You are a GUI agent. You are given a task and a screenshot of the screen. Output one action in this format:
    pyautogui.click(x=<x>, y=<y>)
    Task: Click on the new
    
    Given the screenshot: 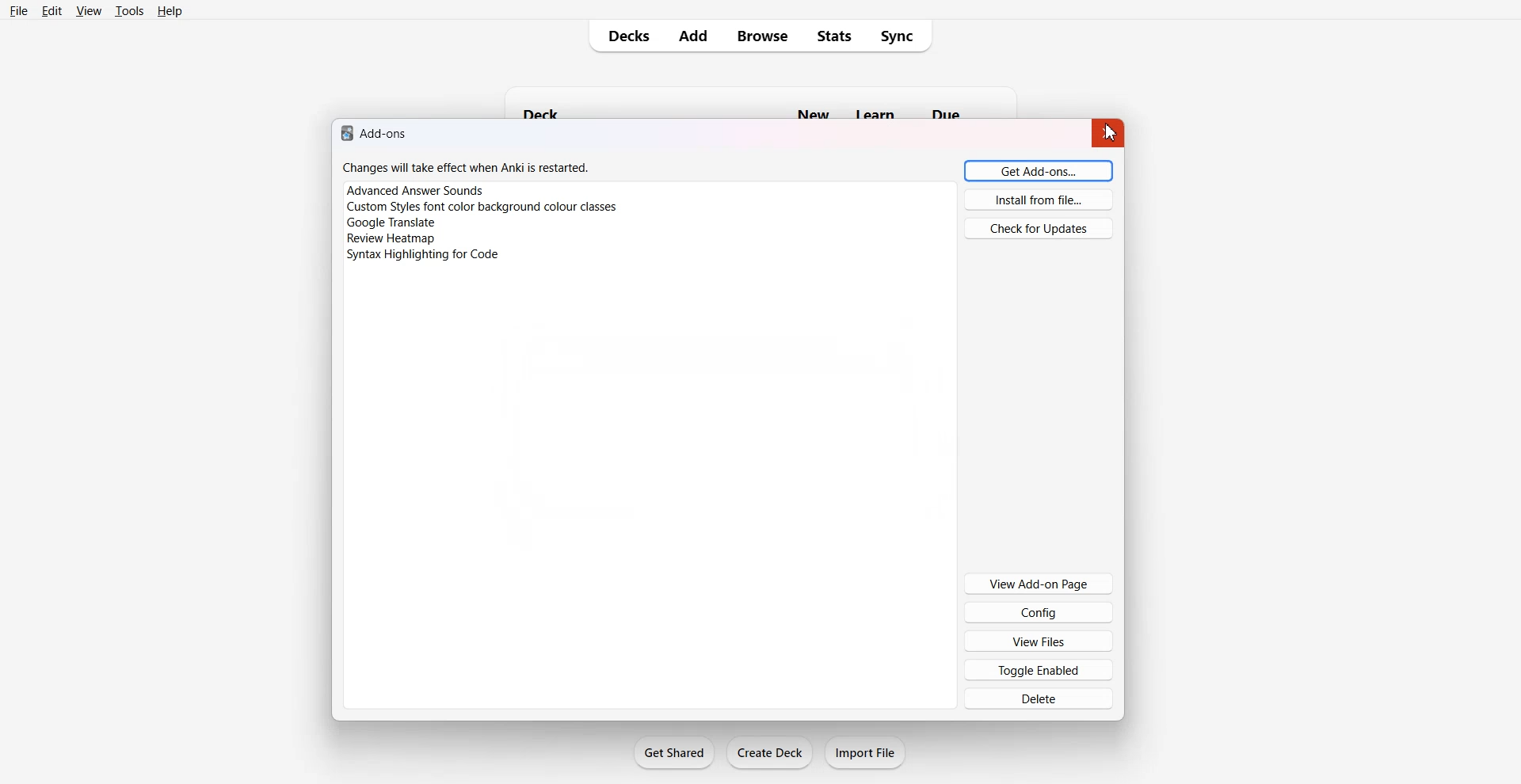 What is the action you would take?
    pyautogui.click(x=815, y=112)
    